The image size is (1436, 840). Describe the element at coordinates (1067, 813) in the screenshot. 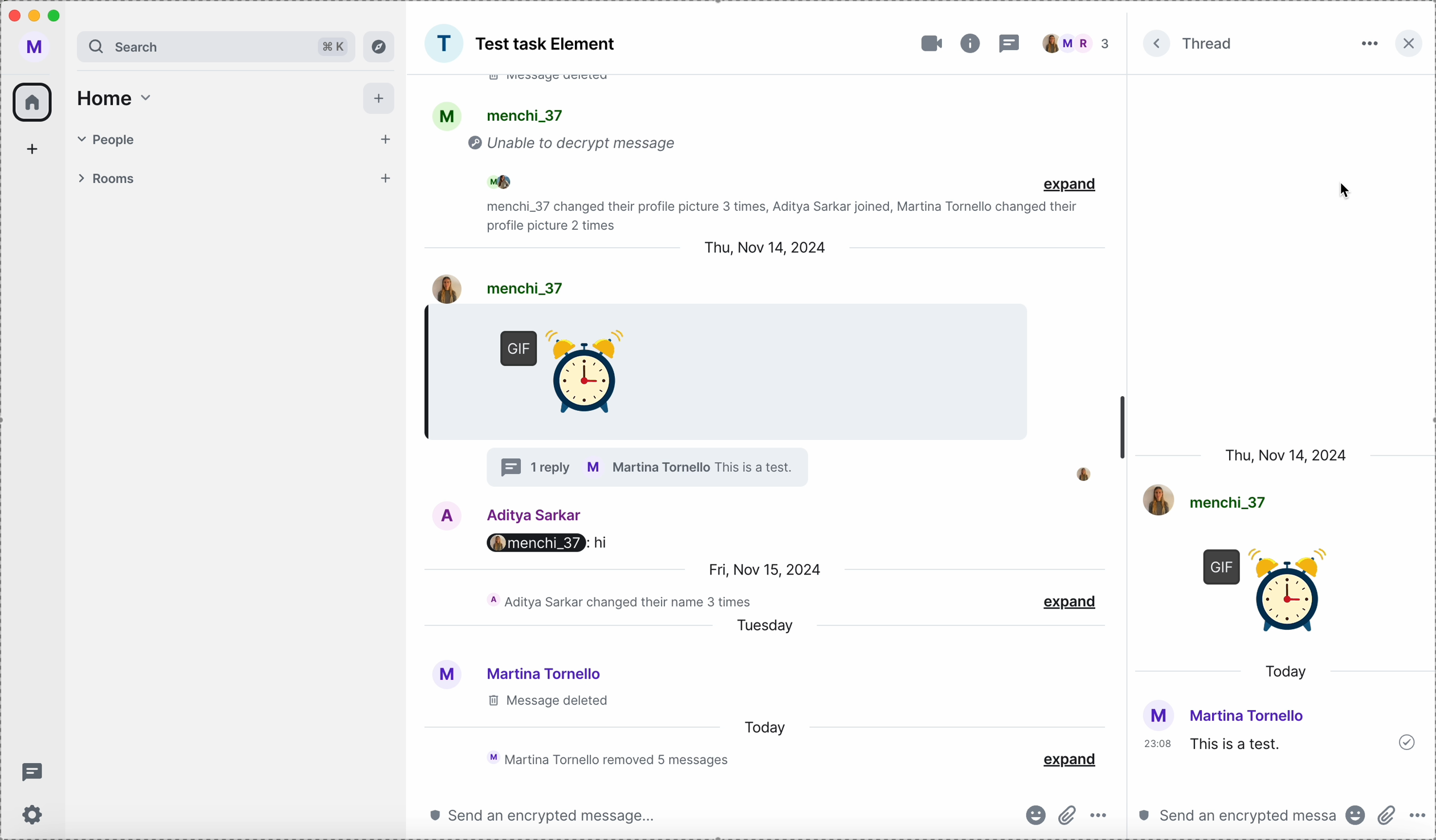

I see `attach files` at that location.